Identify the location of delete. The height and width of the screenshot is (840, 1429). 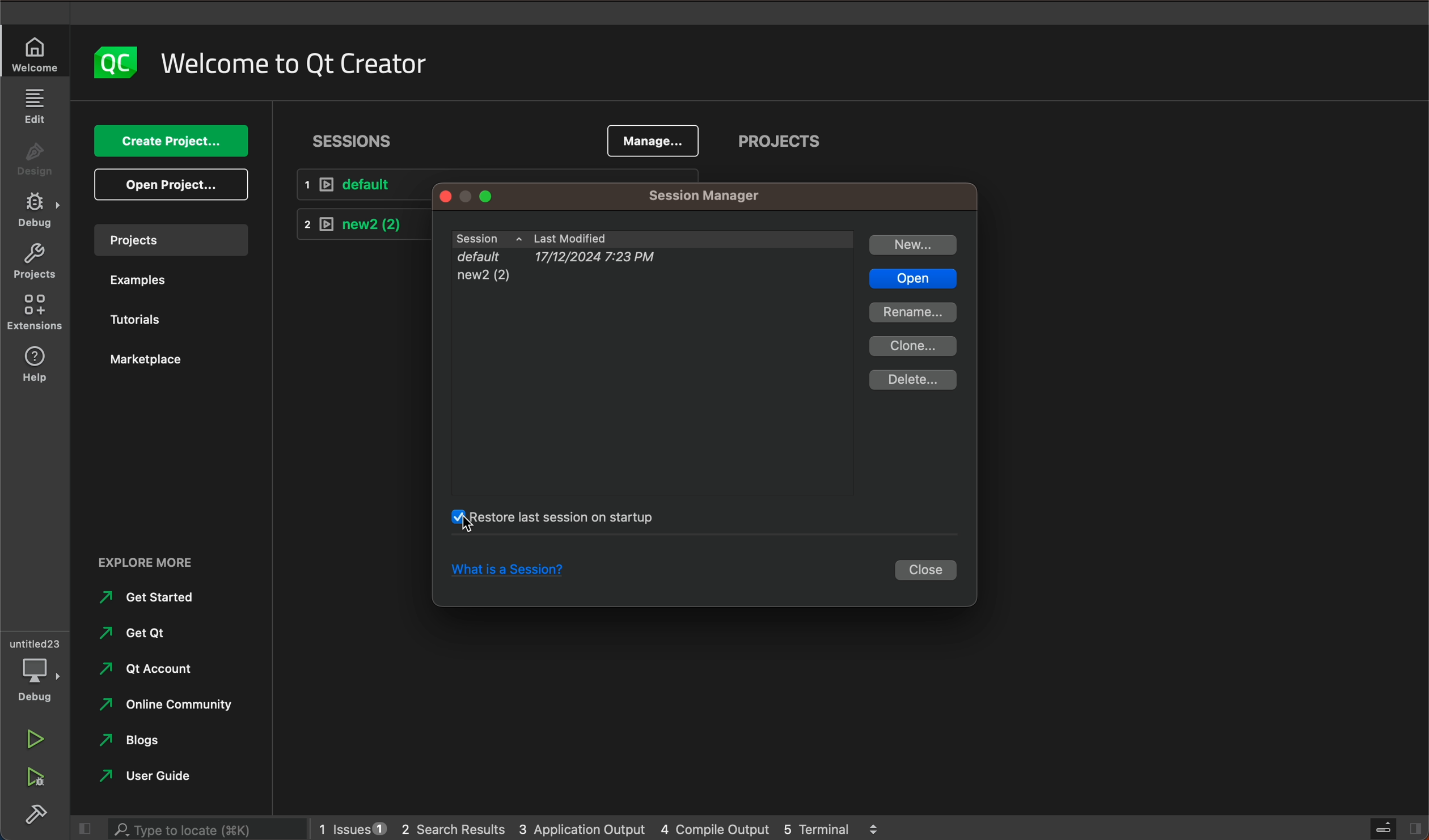
(912, 378).